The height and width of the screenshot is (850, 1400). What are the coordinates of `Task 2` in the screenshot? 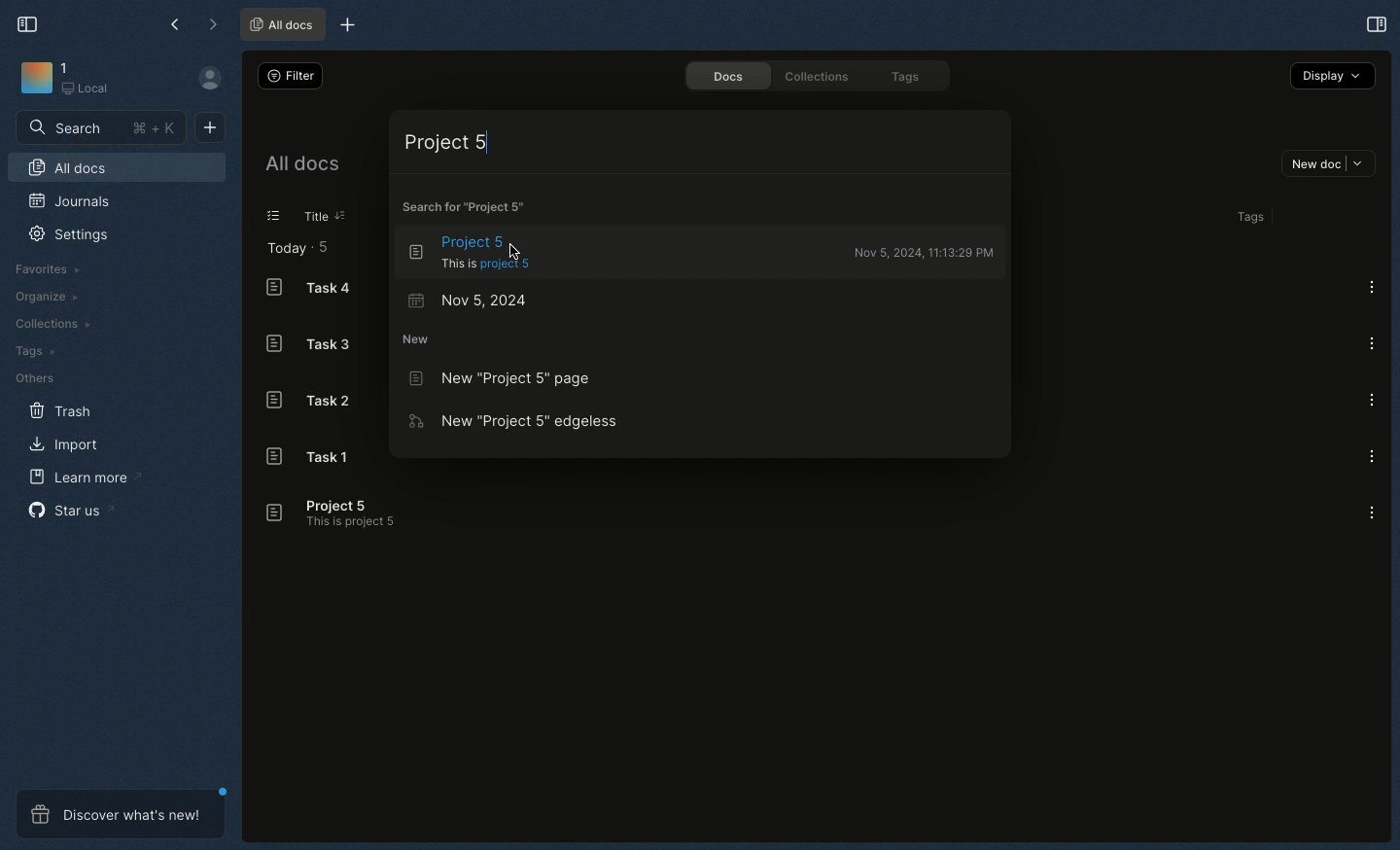 It's located at (306, 400).